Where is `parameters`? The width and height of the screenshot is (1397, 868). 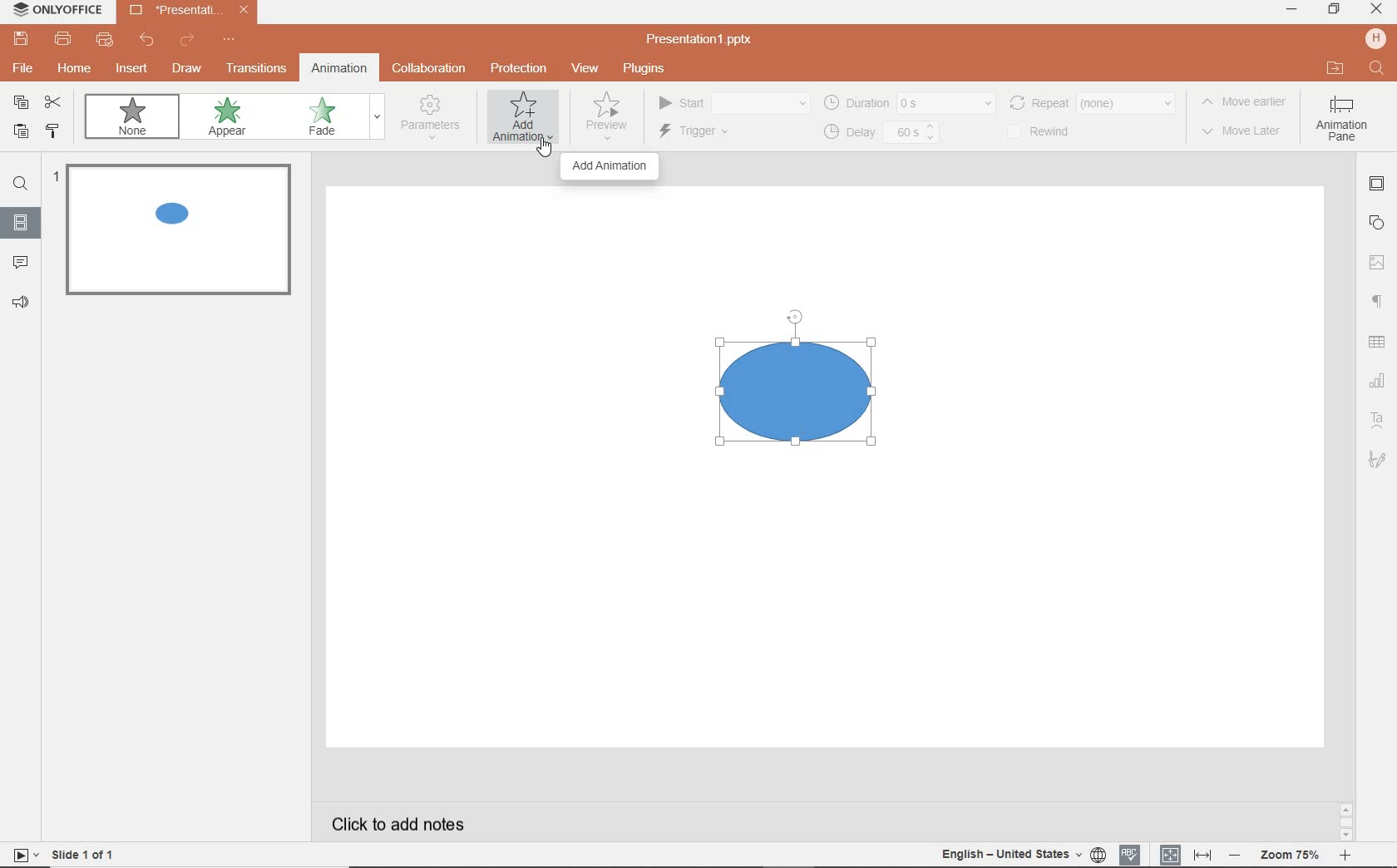 parameters is located at coordinates (434, 118).